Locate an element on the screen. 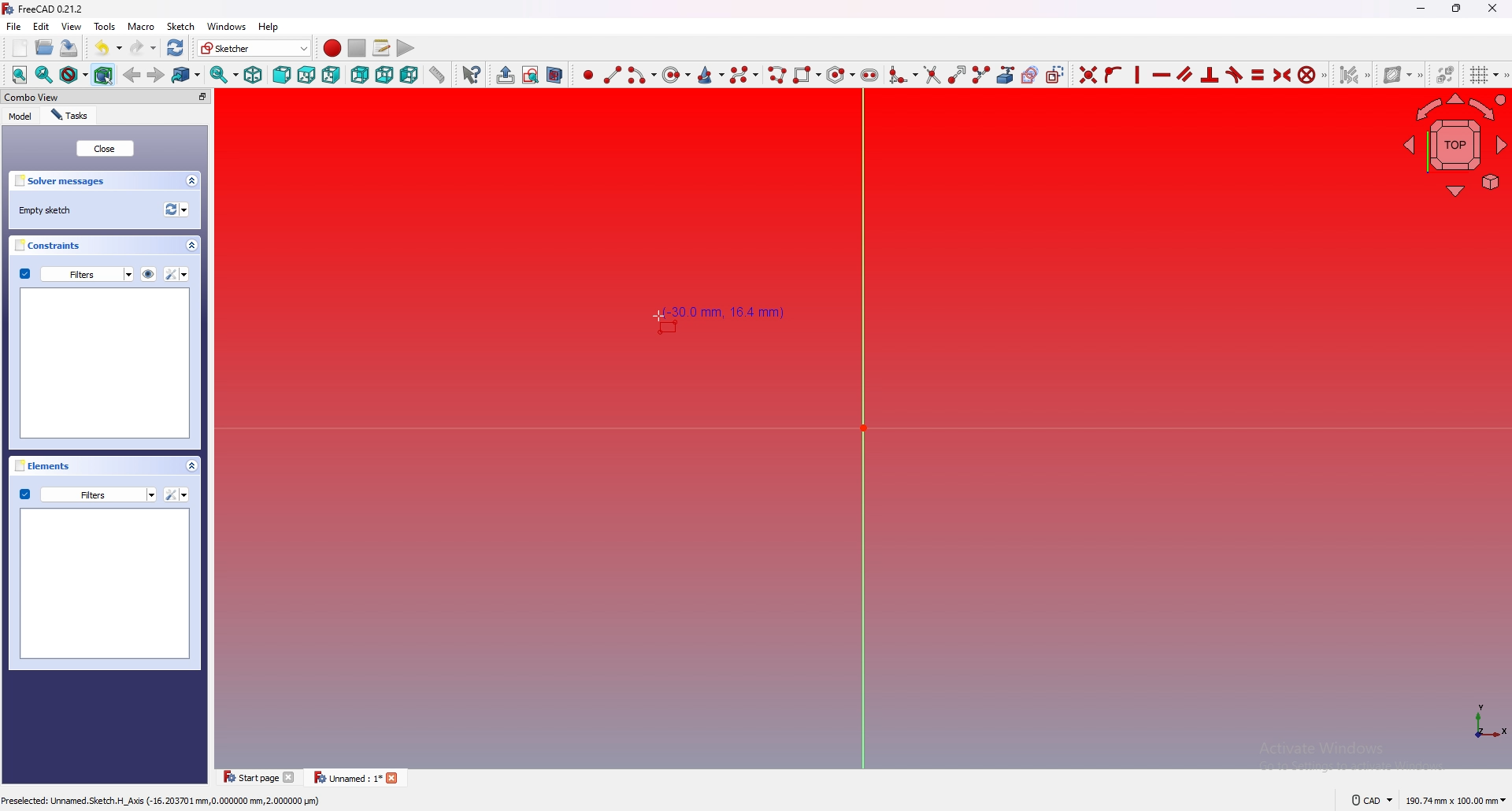 The width and height of the screenshot is (1512, 811). collapse is located at coordinates (191, 465).